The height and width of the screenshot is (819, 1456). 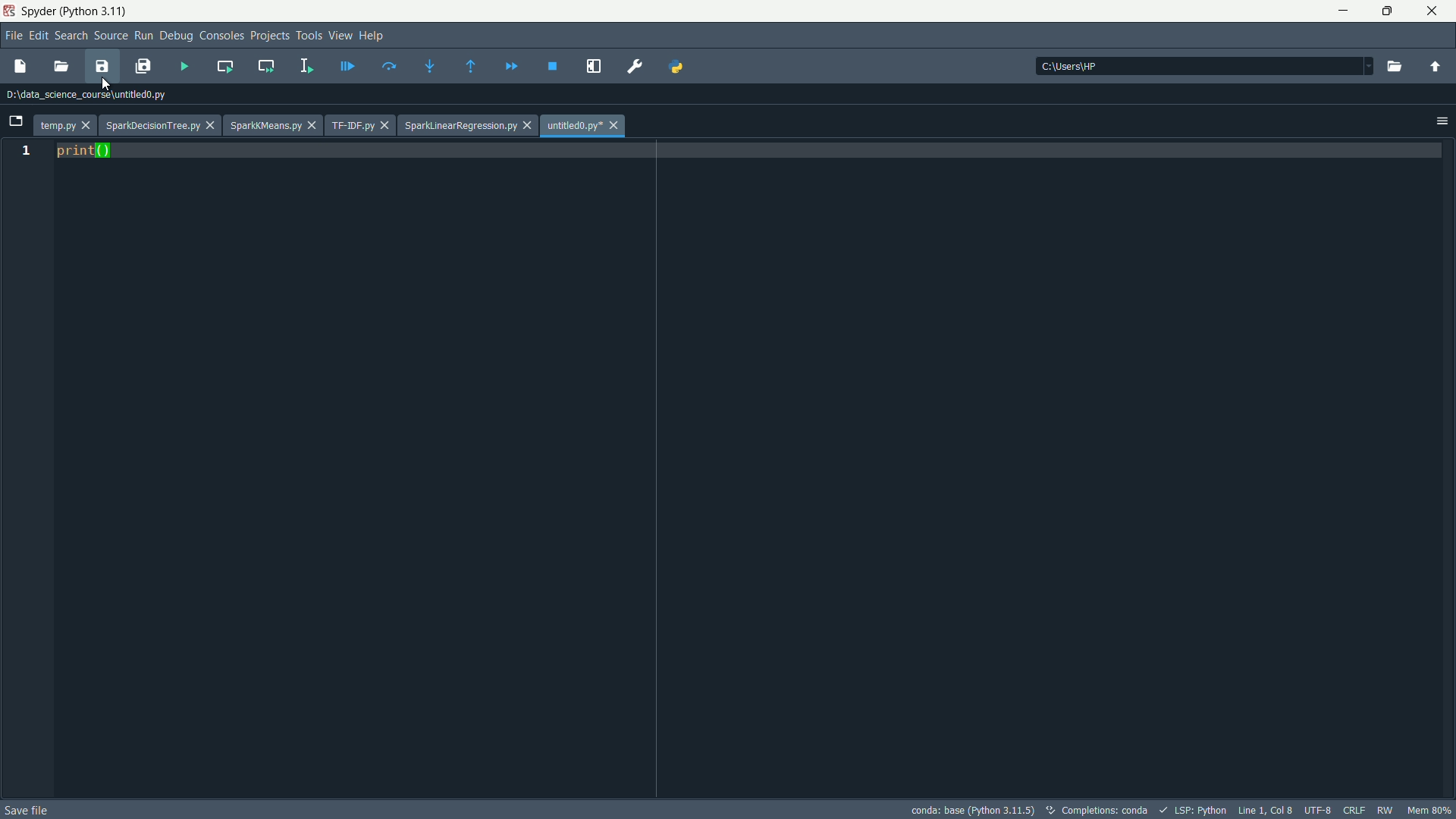 What do you see at coordinates (529, 127) in the screenshot?
I see `close` at bounding box center [529, 127].